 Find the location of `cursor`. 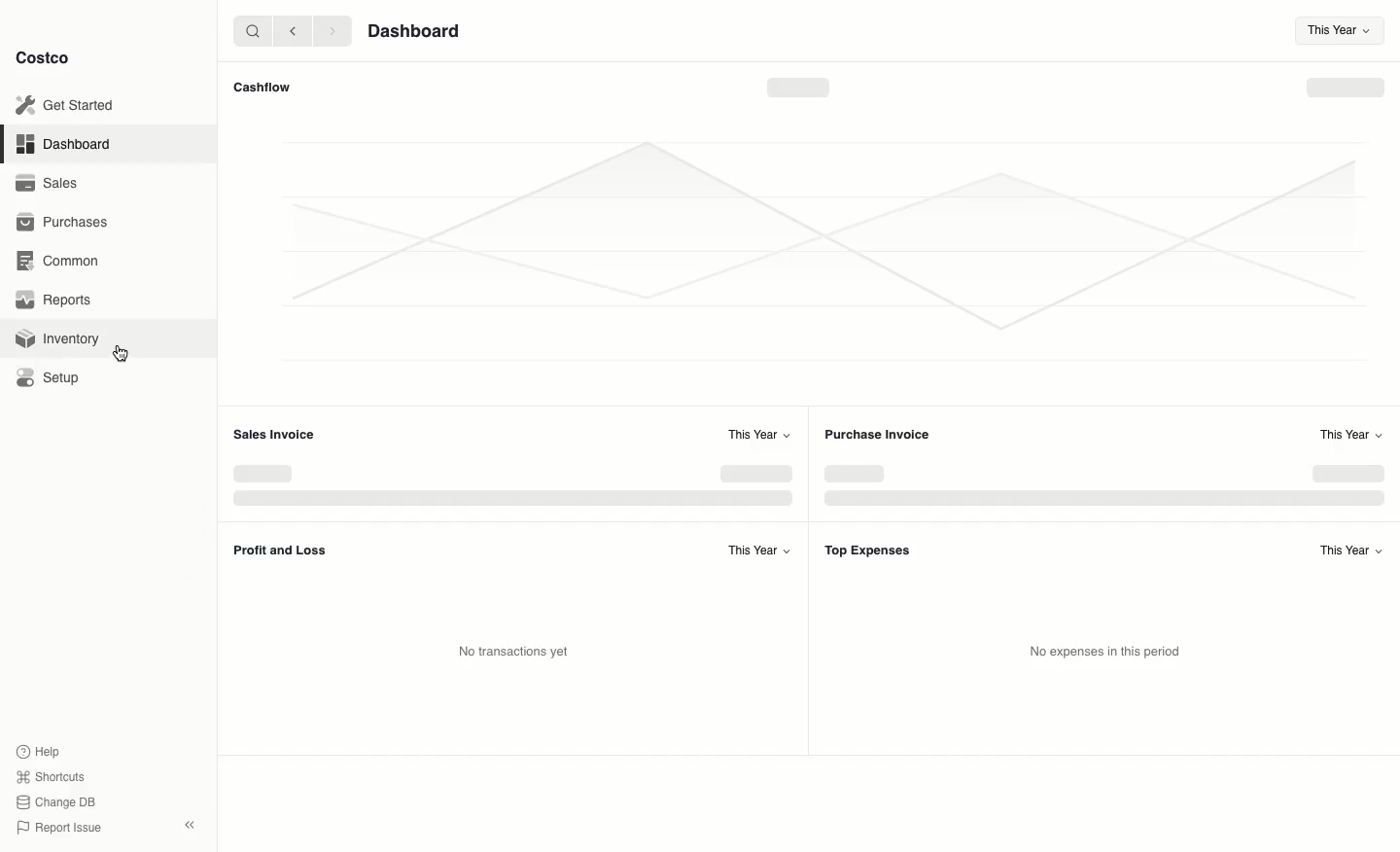

cursor is located at coordinates (124, 354).